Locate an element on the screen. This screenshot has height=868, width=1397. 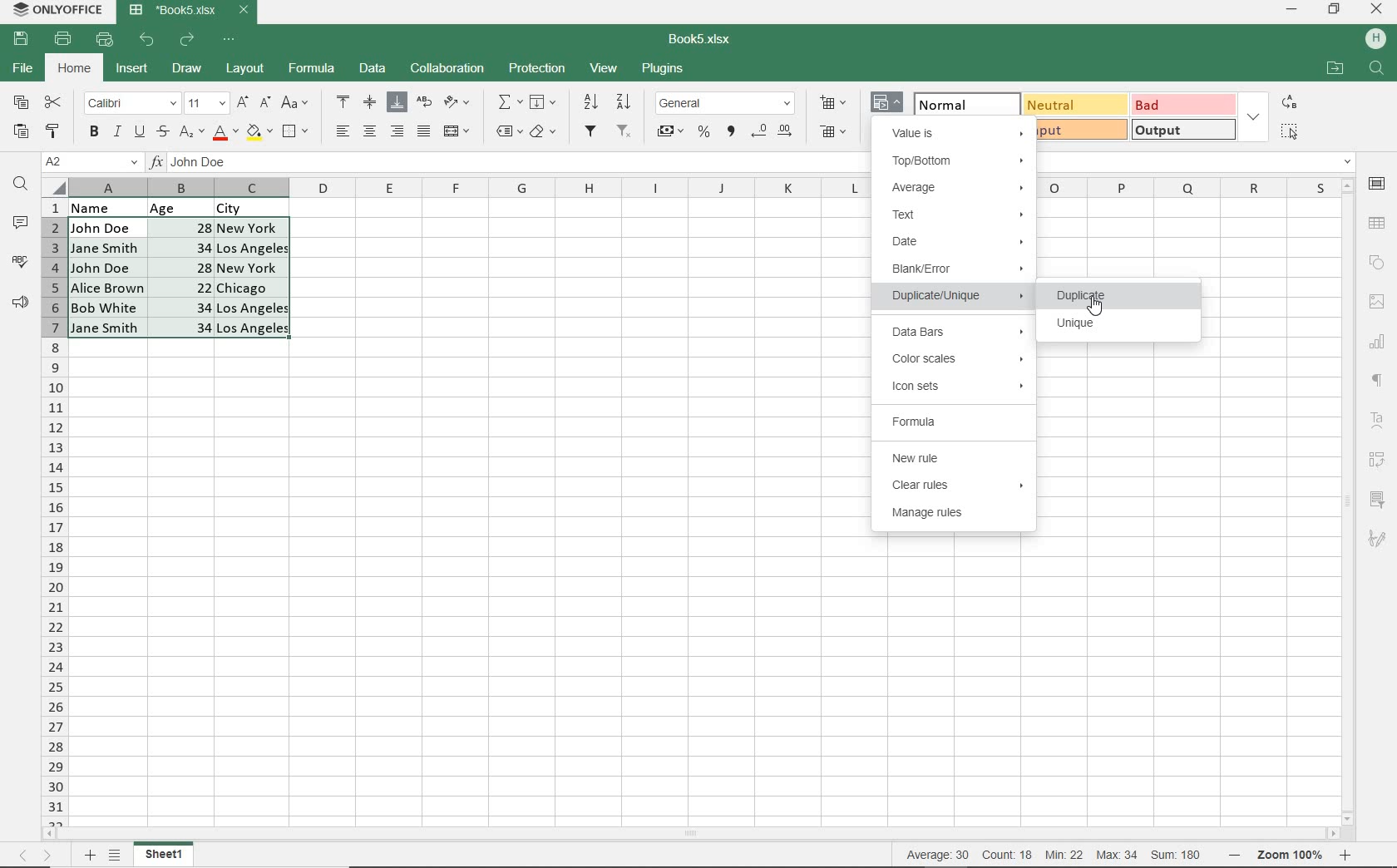
SIGNATURE is located at coordinates (1377, 538).